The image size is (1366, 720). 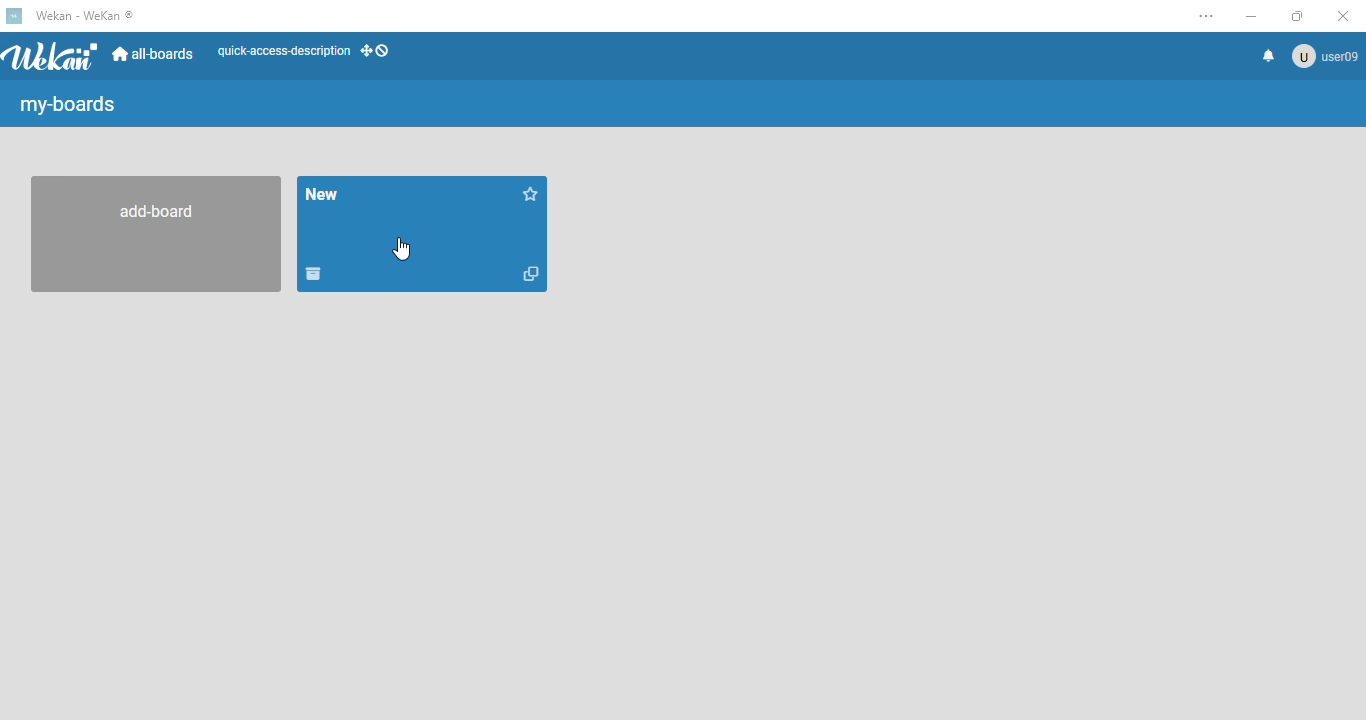 I want to click on wekan, so click(x=53, y=56).